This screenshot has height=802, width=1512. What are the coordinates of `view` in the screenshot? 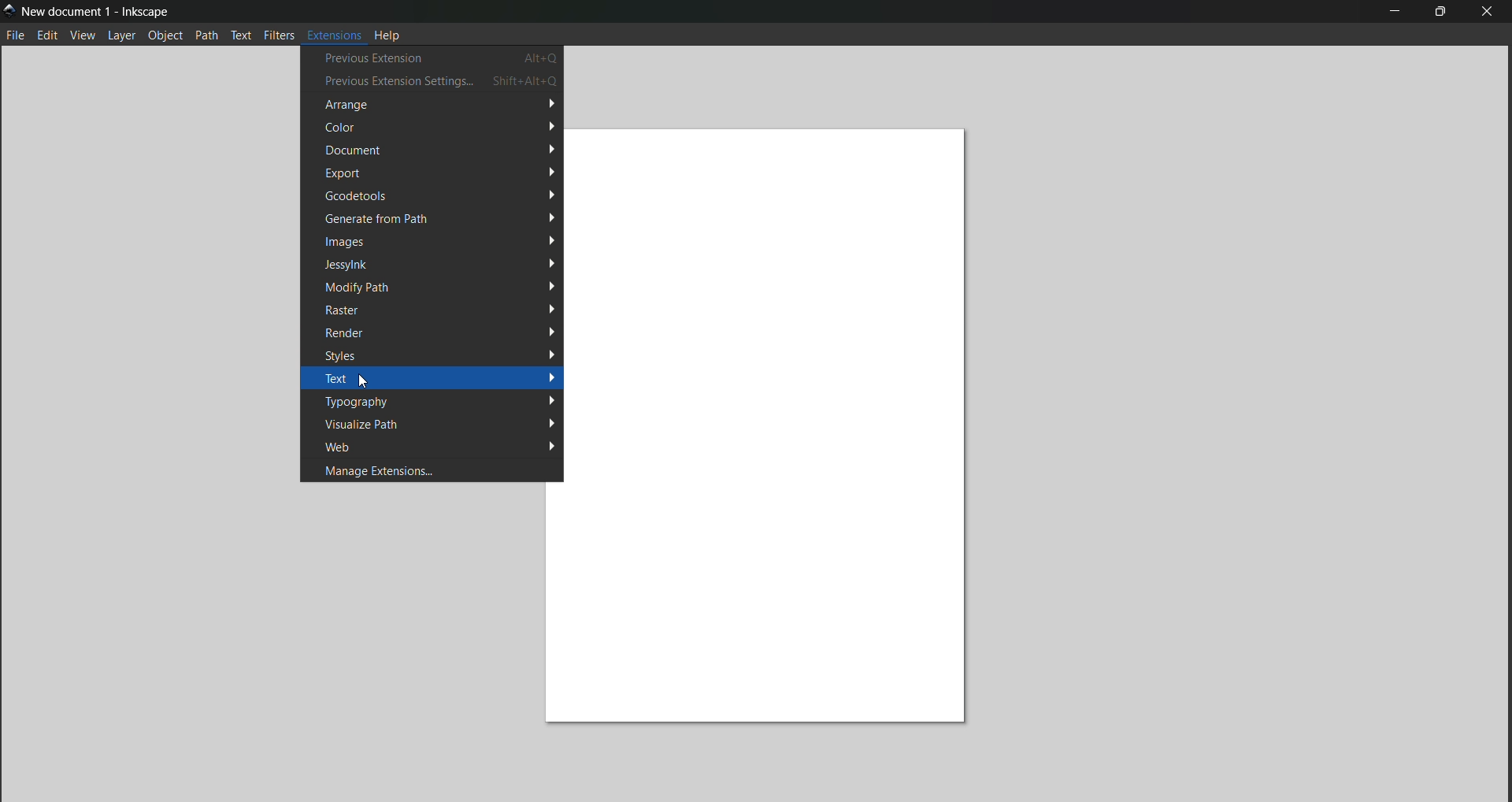 It's located at (83, 36).